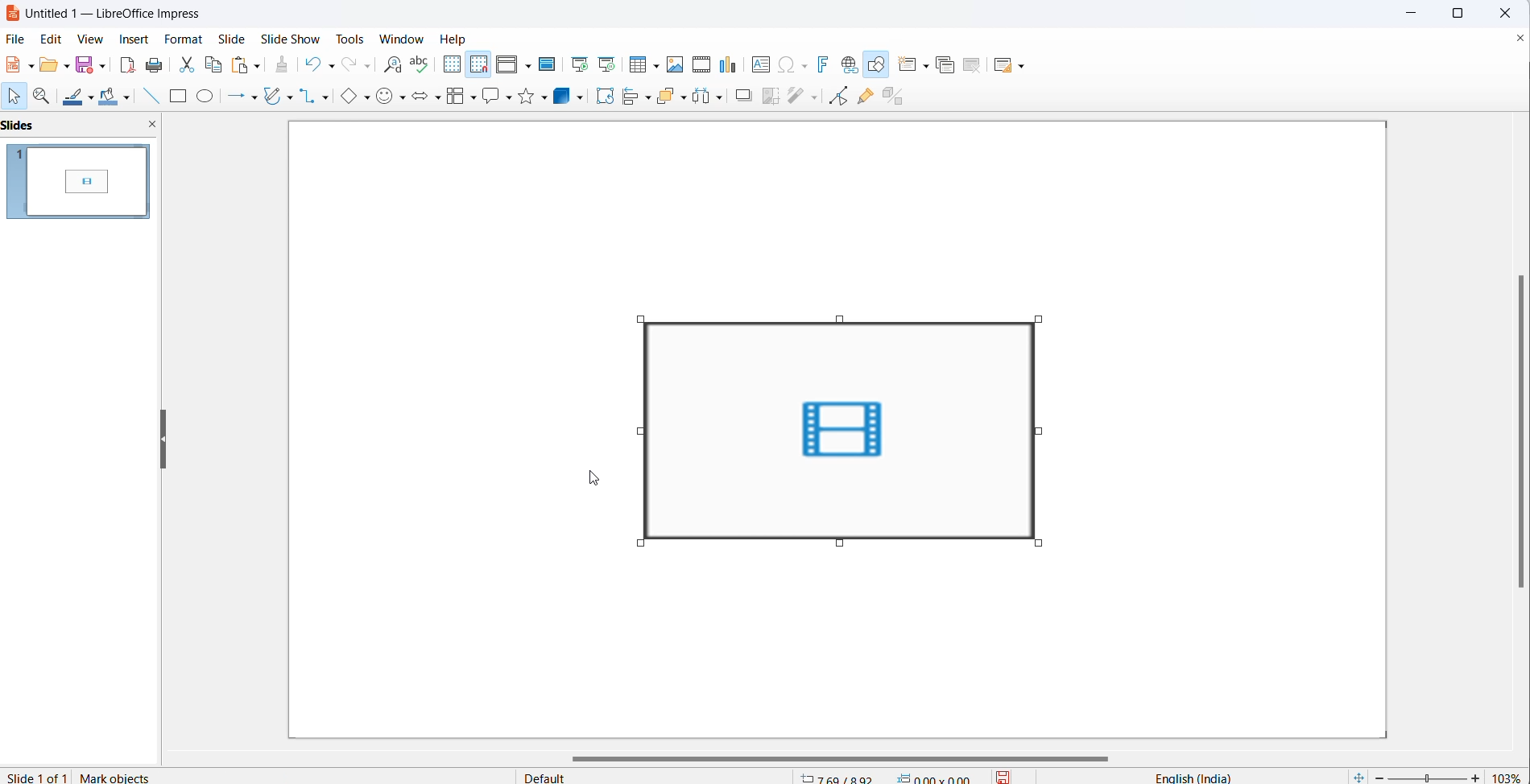 This screenshot has height=784, width=1530. Describe the element at coordinates (906, 65) in the screenshot. I see `new slide` at that location.